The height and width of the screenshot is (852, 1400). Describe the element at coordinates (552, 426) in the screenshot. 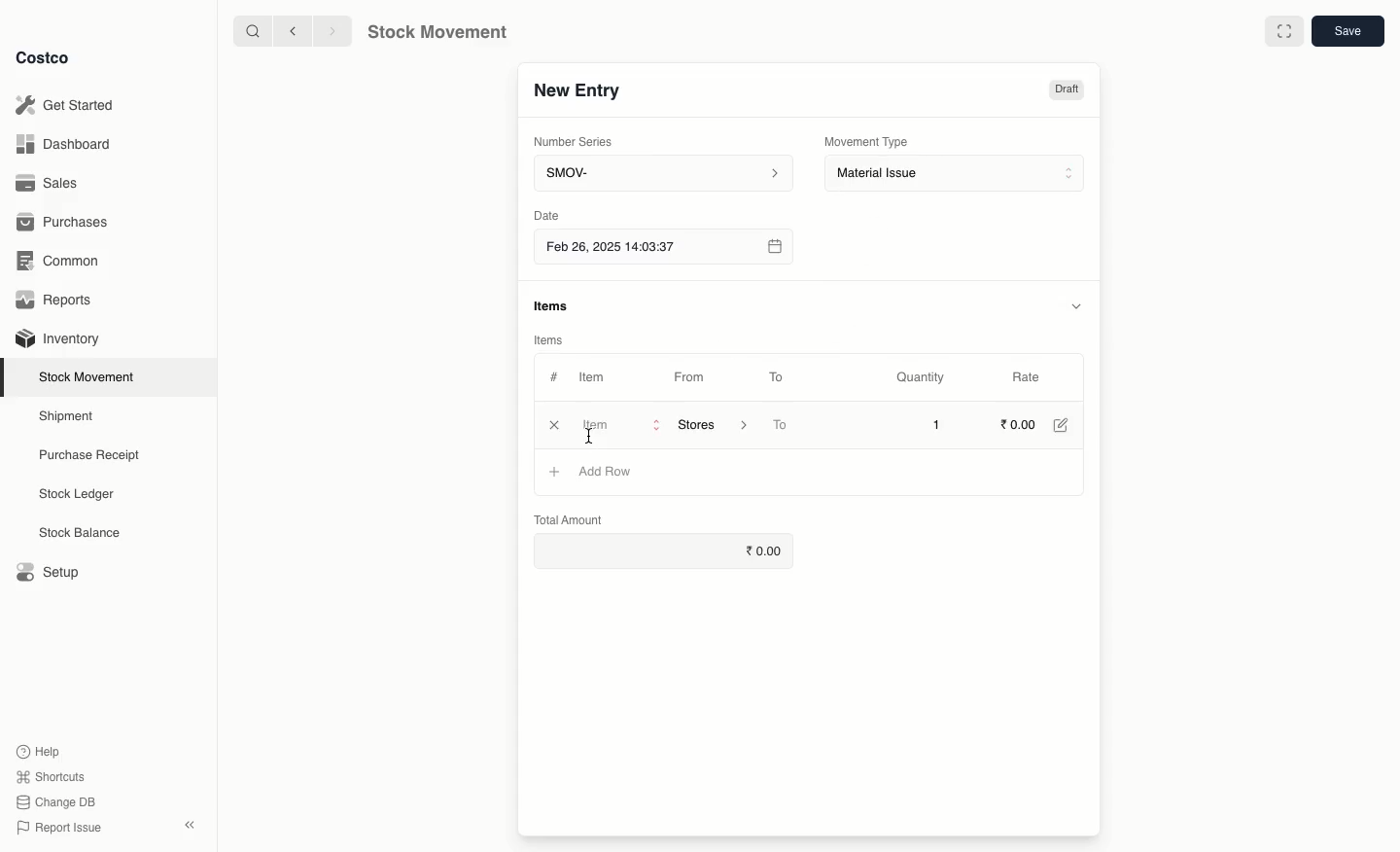

I see `Close` at that location.